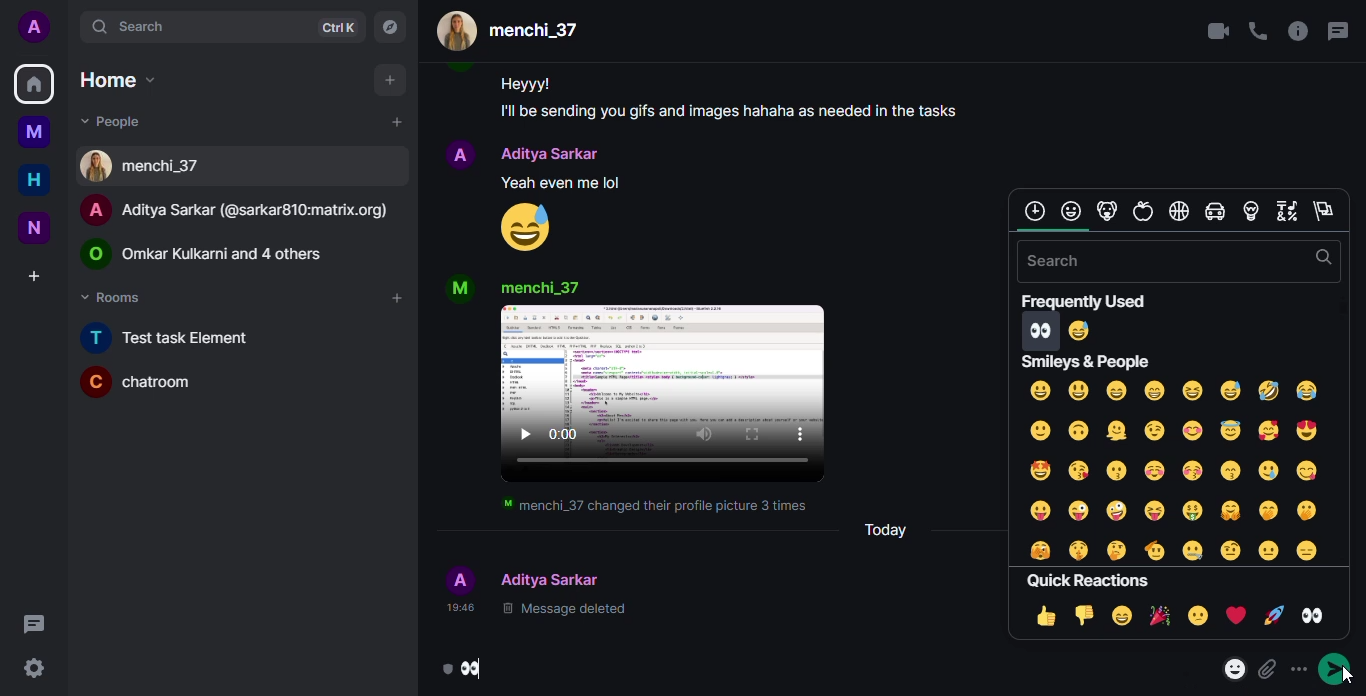 The width and height of the screenshot is (1366, 696). Describe the element at coordinates (34, 229) in the screenshot. I see `new` at that location.